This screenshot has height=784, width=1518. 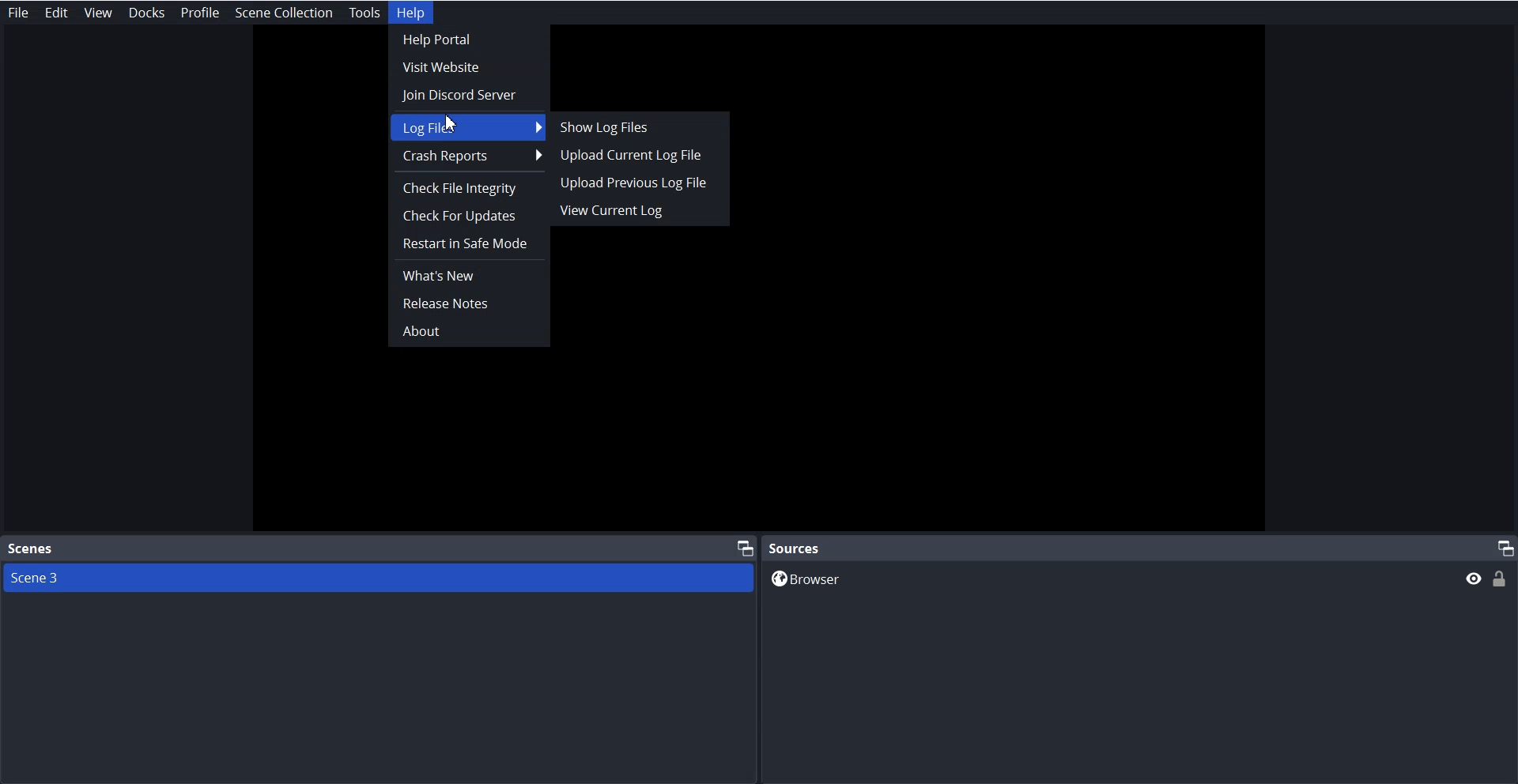 I want to click on Edit, so click(x=56, y=10).